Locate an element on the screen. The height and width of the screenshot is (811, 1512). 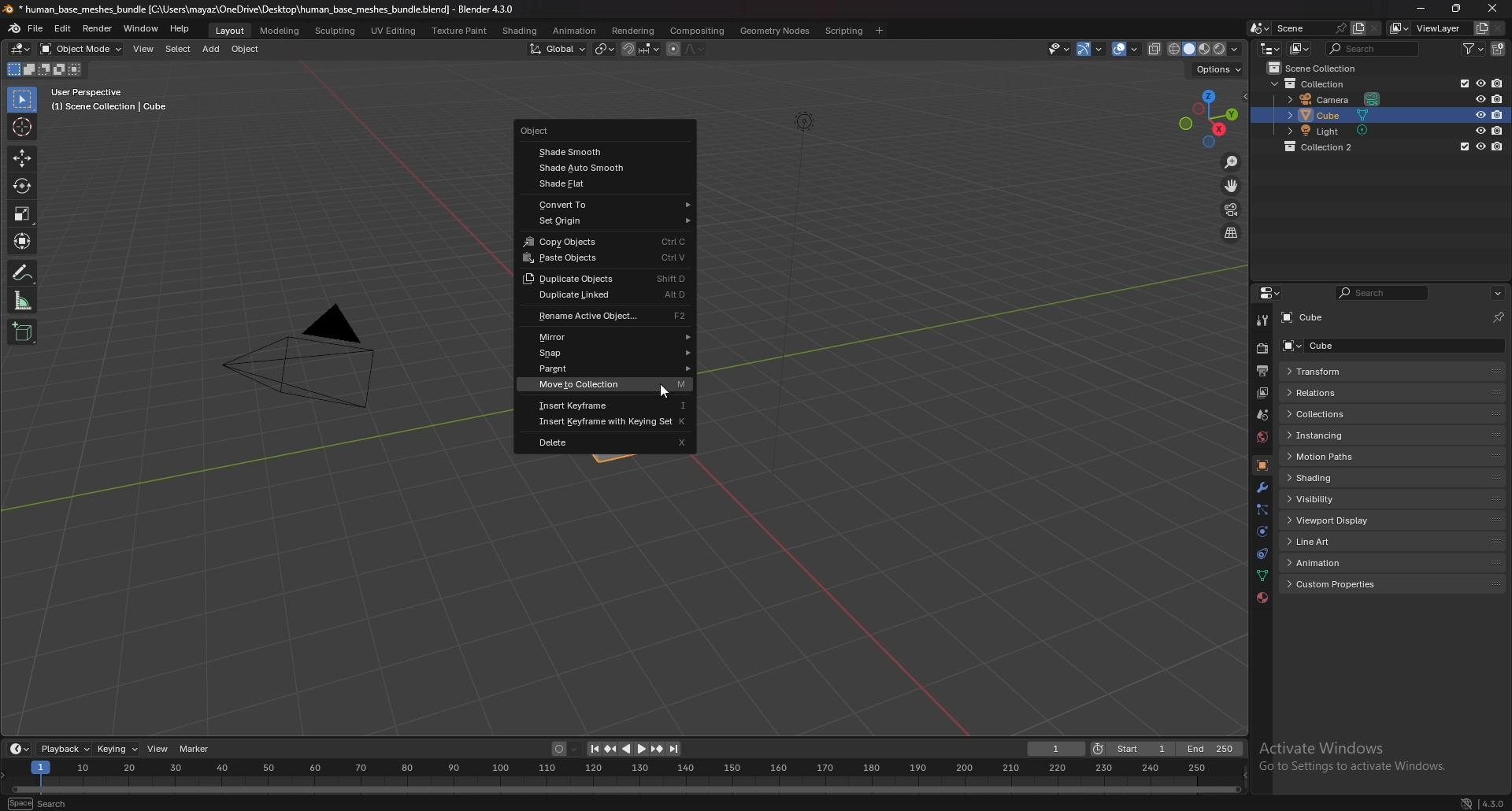
mode is located at coordinates (45, 71).